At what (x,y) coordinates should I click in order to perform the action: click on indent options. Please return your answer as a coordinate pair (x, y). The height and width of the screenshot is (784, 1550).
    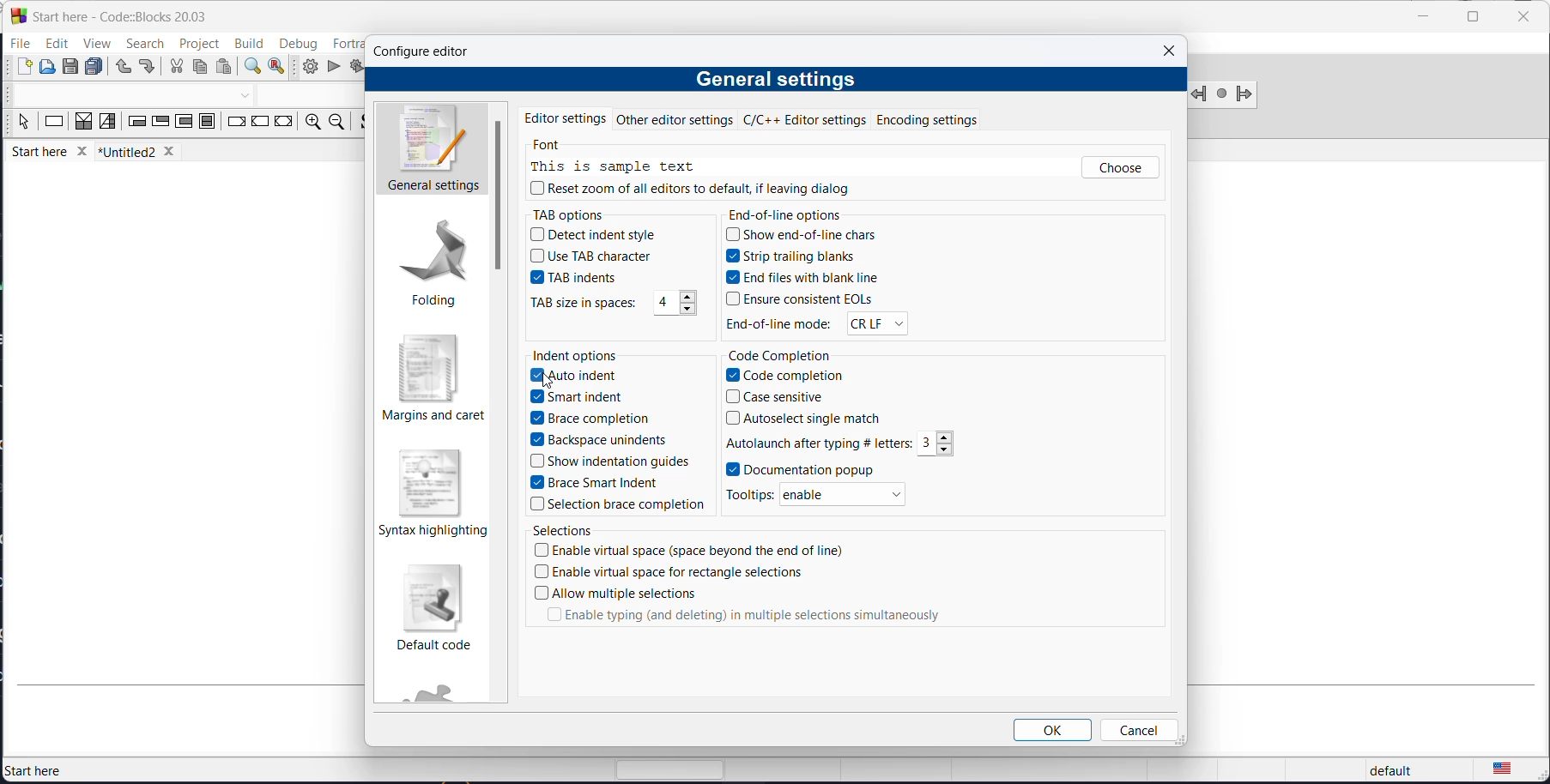
    Looking at the image, I should click on (580, 355).